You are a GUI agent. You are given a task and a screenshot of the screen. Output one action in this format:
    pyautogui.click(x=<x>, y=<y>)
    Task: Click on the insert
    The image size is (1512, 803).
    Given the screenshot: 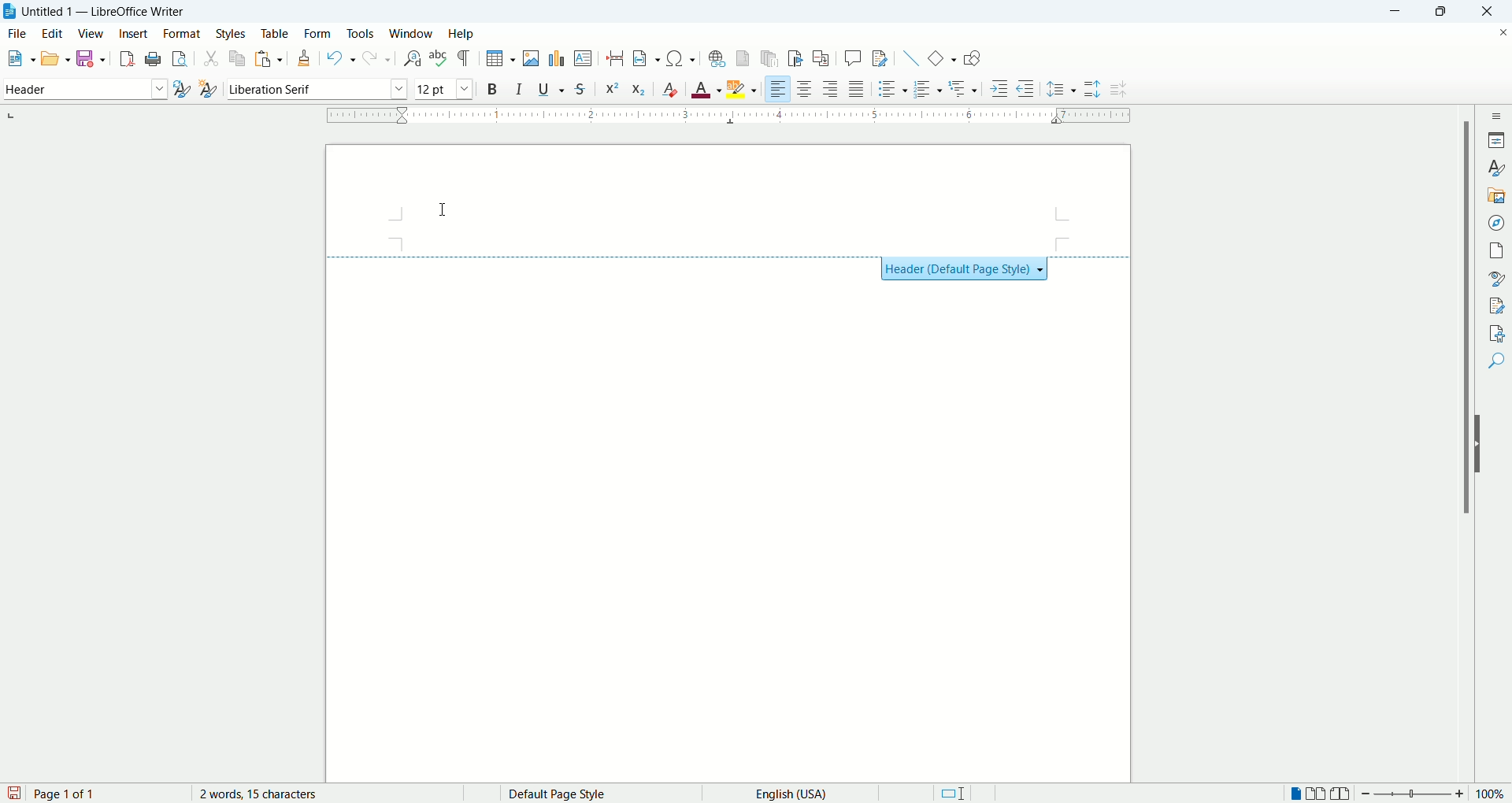 What is the action you would take?
    pyautogui.click(x=133, y=33)
    